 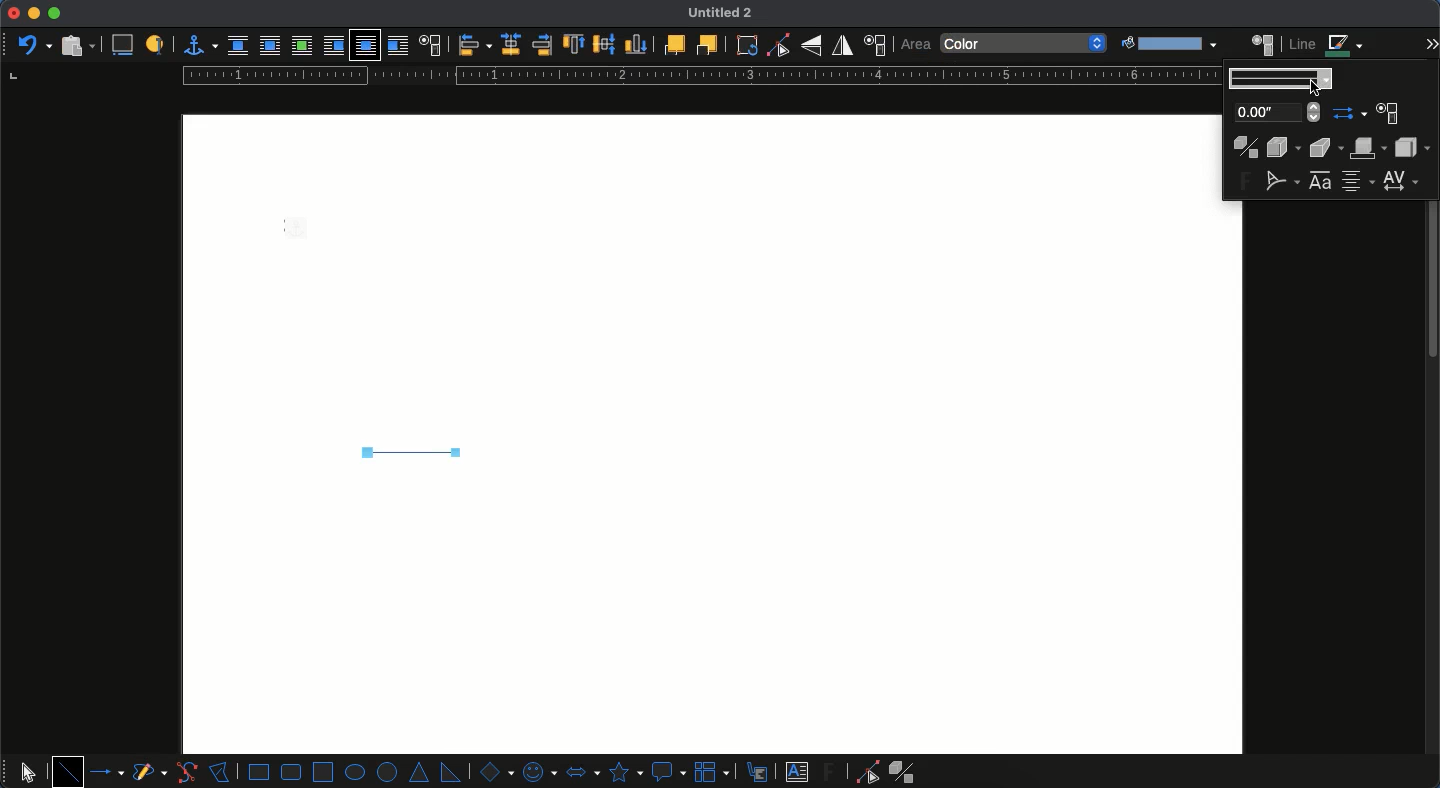 What do you see at coordinates (811, 45) in the screenshot?
I see `flip vertically` at bounding box center [811, 45].